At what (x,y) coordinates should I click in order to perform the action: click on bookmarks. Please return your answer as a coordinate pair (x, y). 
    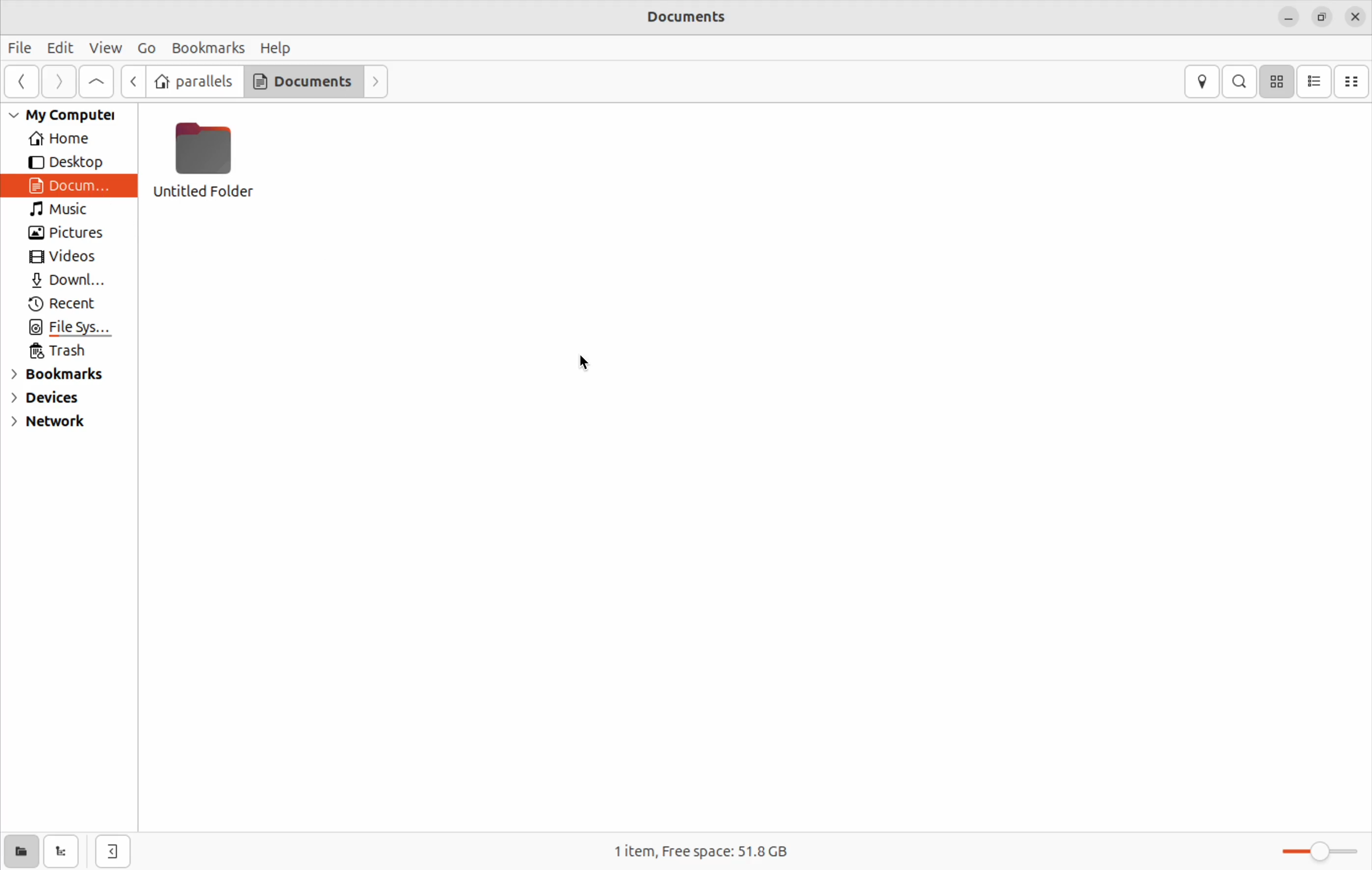
    Looking at the image, I should click on (68, 376).